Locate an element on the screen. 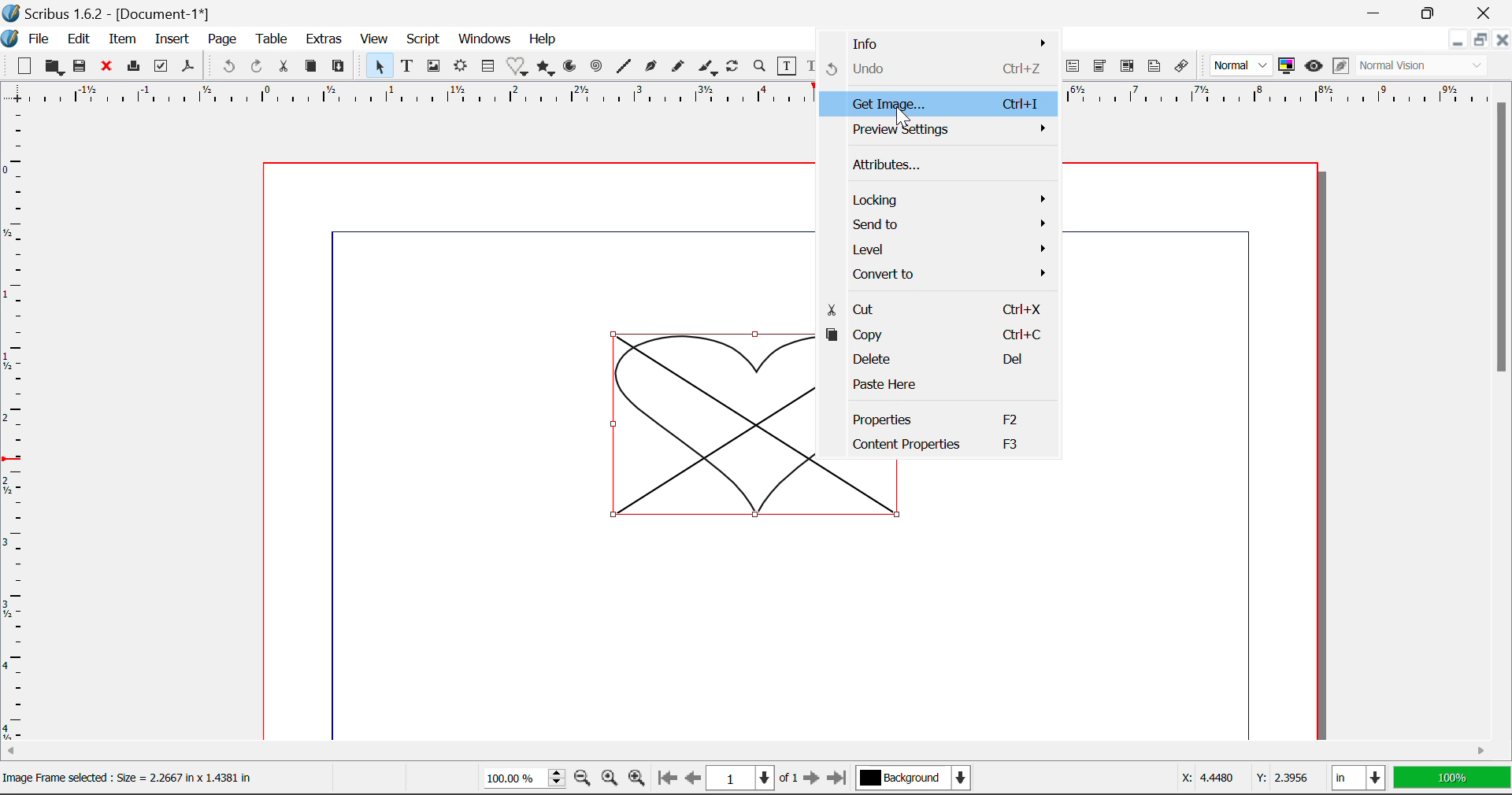  Level is located at coordinates (942, 248).